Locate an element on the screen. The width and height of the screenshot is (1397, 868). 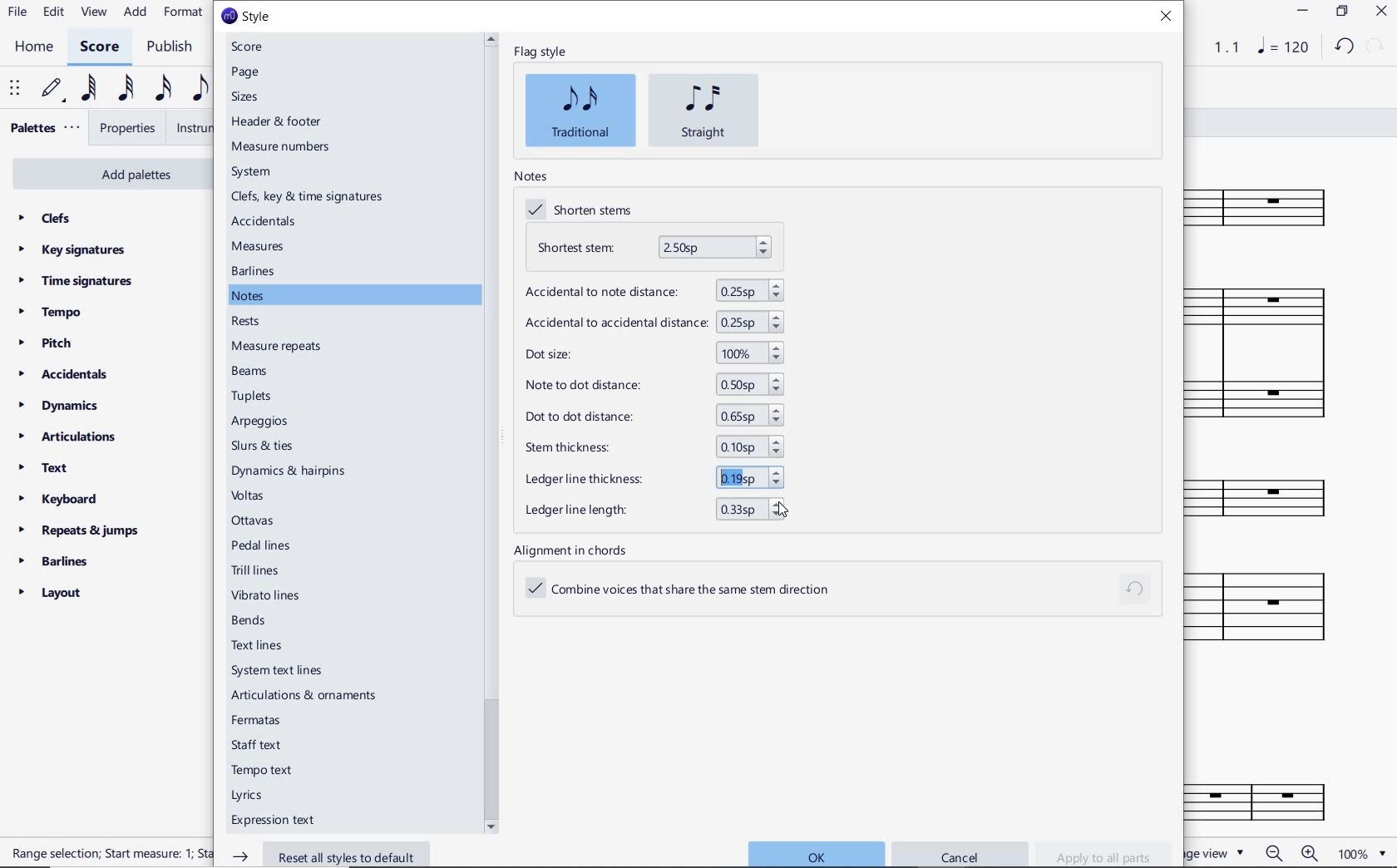
tuplets is located at coordinates (254, 397).